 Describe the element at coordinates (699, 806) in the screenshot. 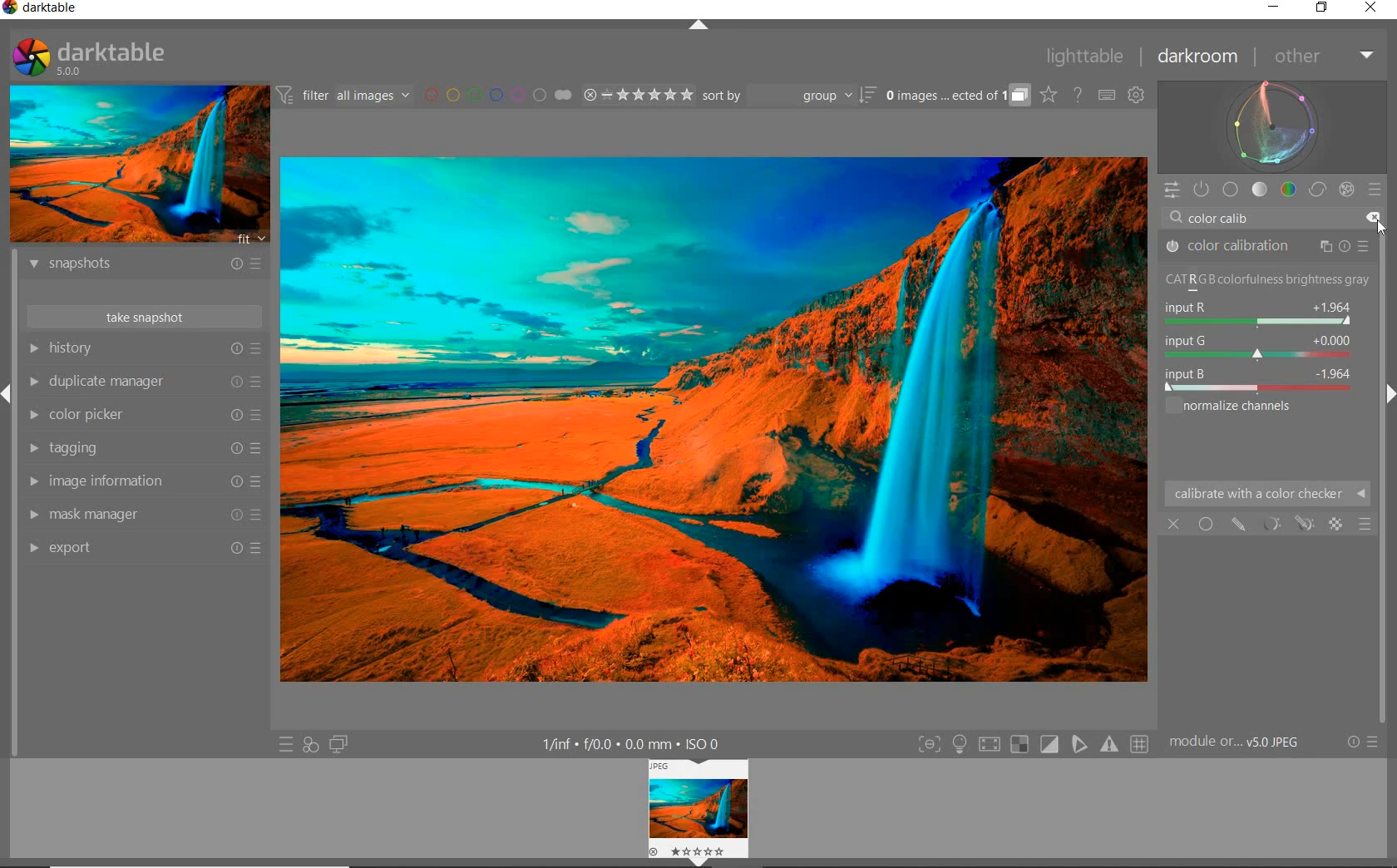

I see `image ` at that location.